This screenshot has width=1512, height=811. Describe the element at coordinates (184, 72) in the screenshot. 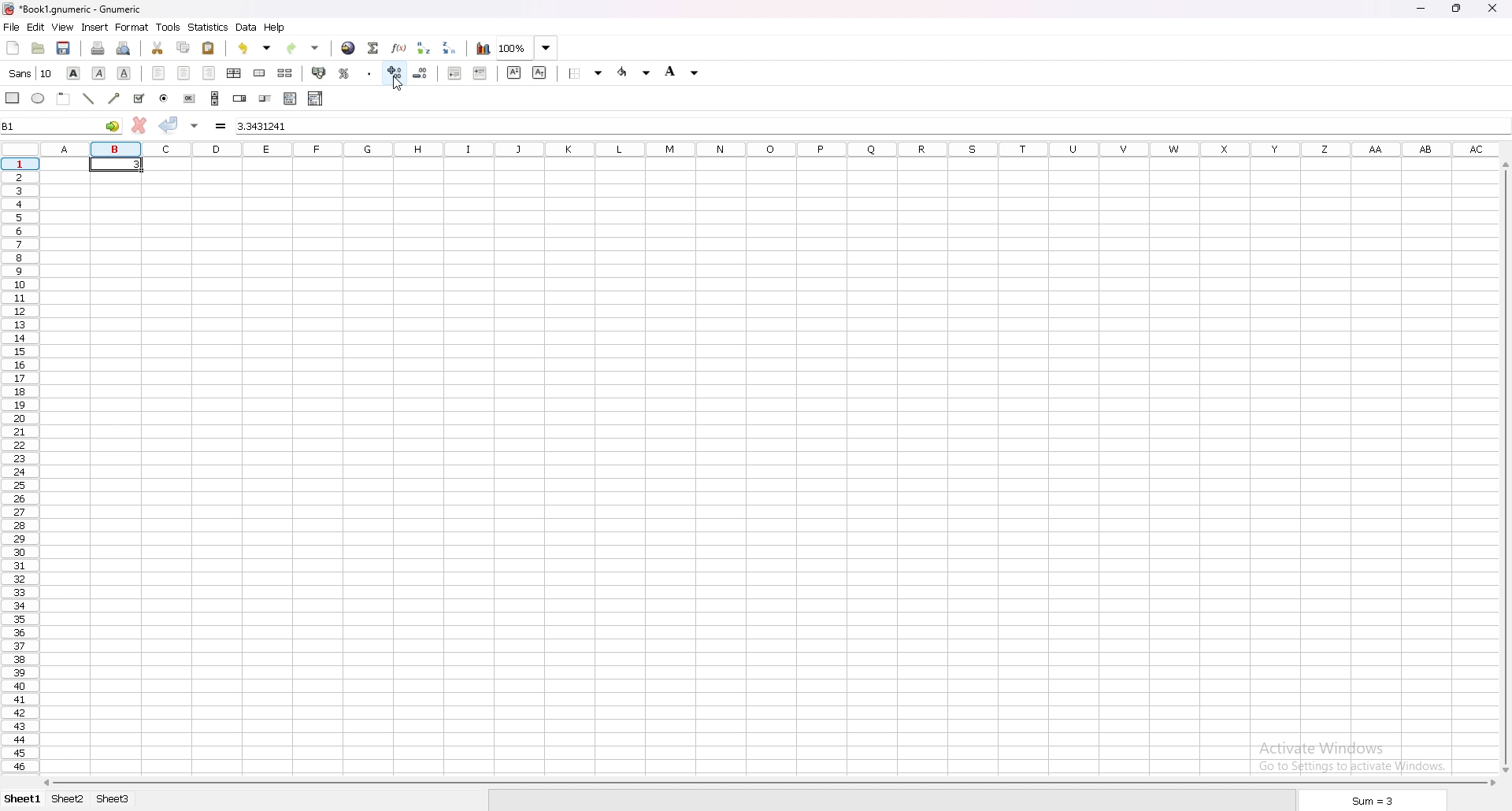

I see `center` at that location.